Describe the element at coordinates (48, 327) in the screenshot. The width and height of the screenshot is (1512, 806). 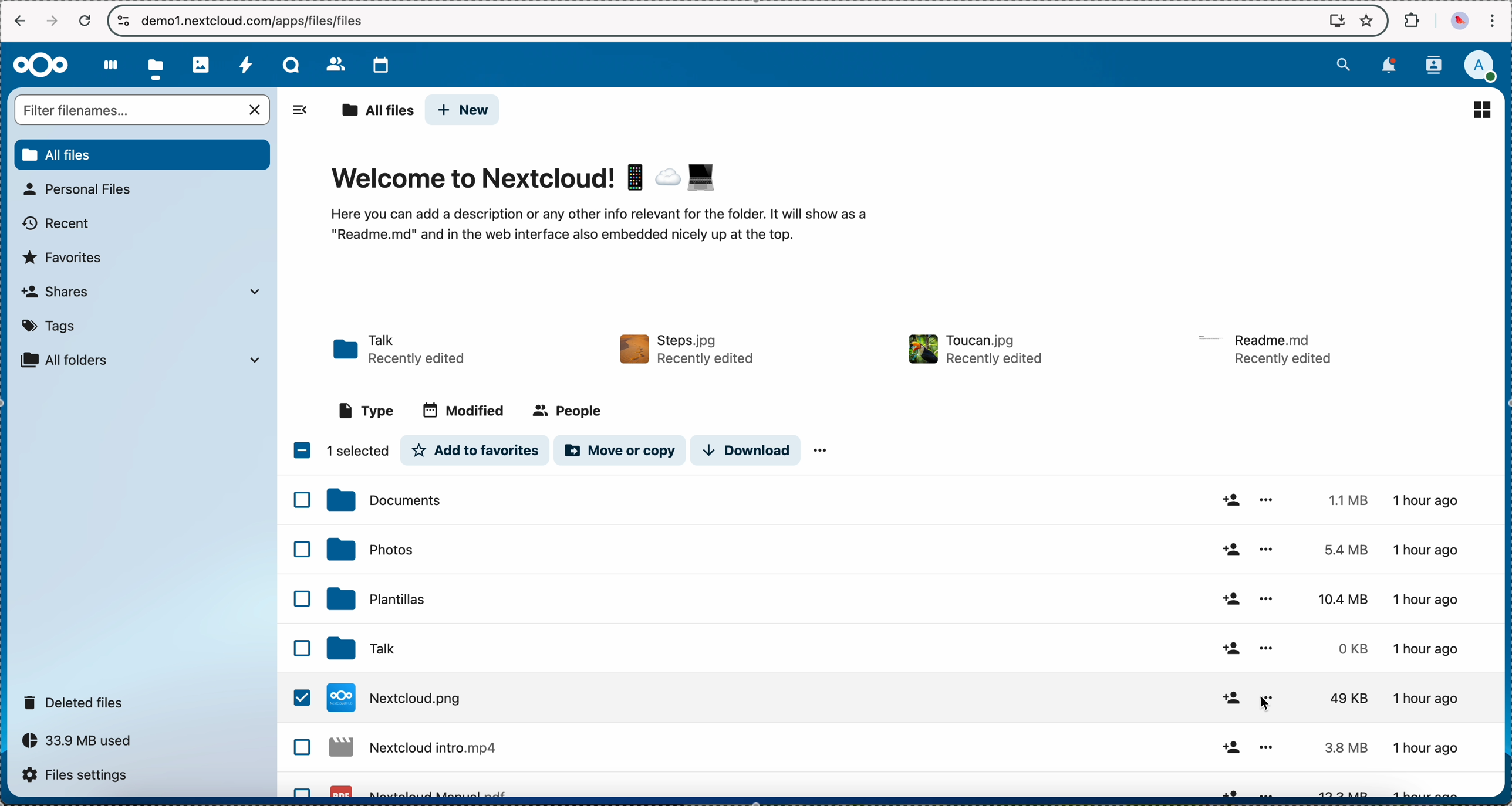
I see `tags` at that location.